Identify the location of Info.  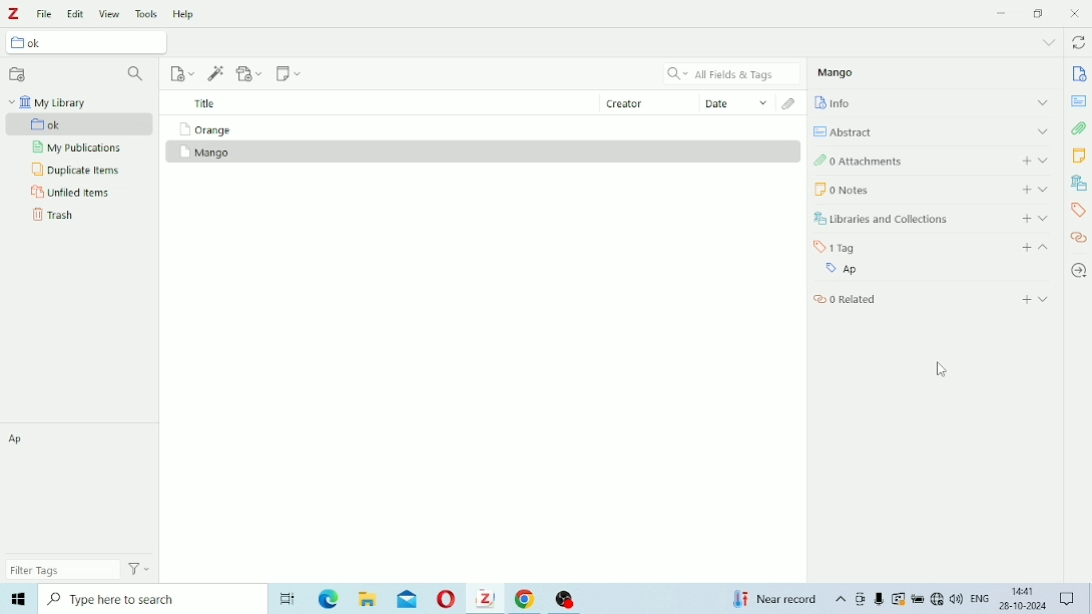
(933, 101).